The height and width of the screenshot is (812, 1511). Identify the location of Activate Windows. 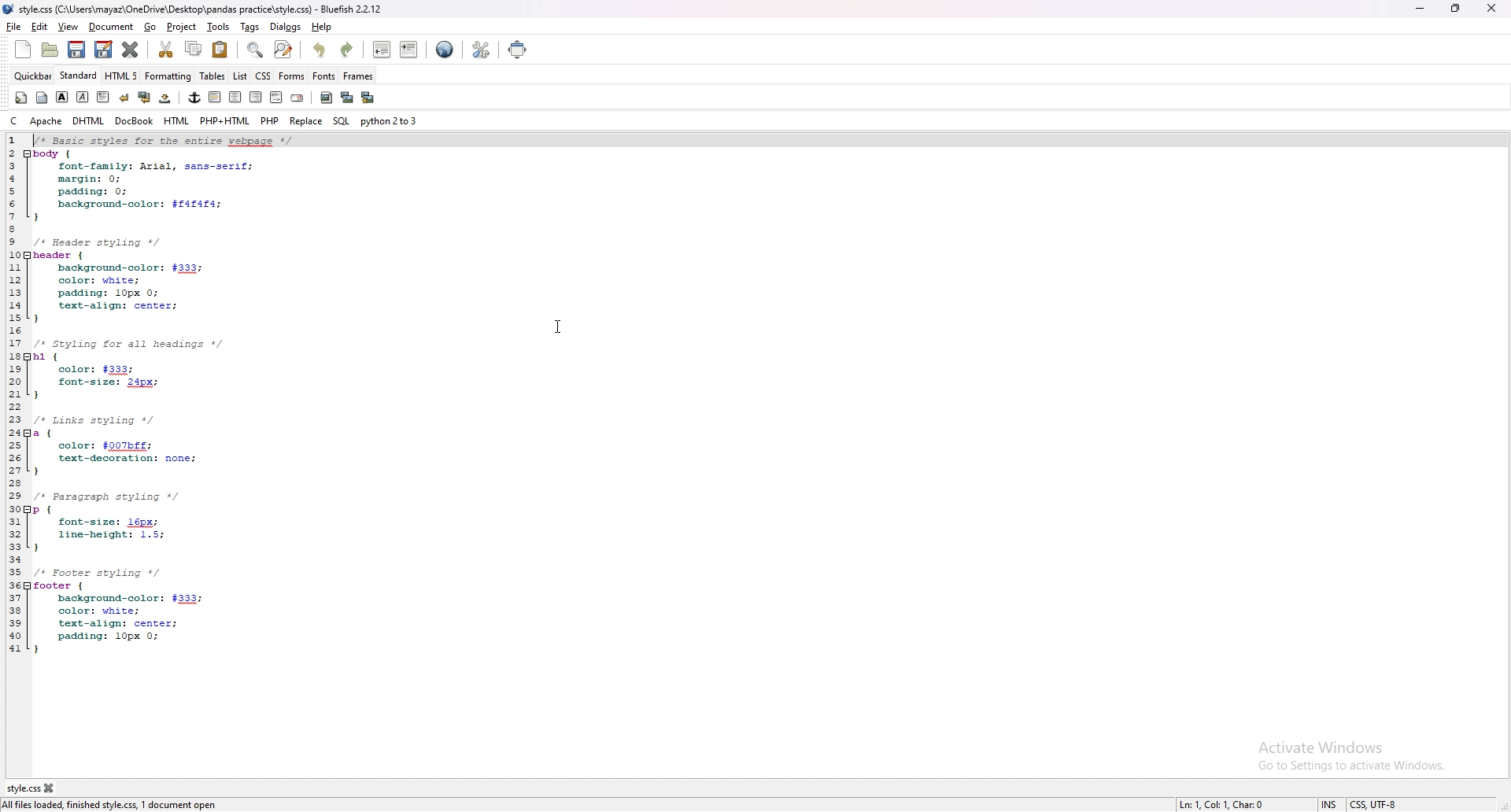
(1324, 747).